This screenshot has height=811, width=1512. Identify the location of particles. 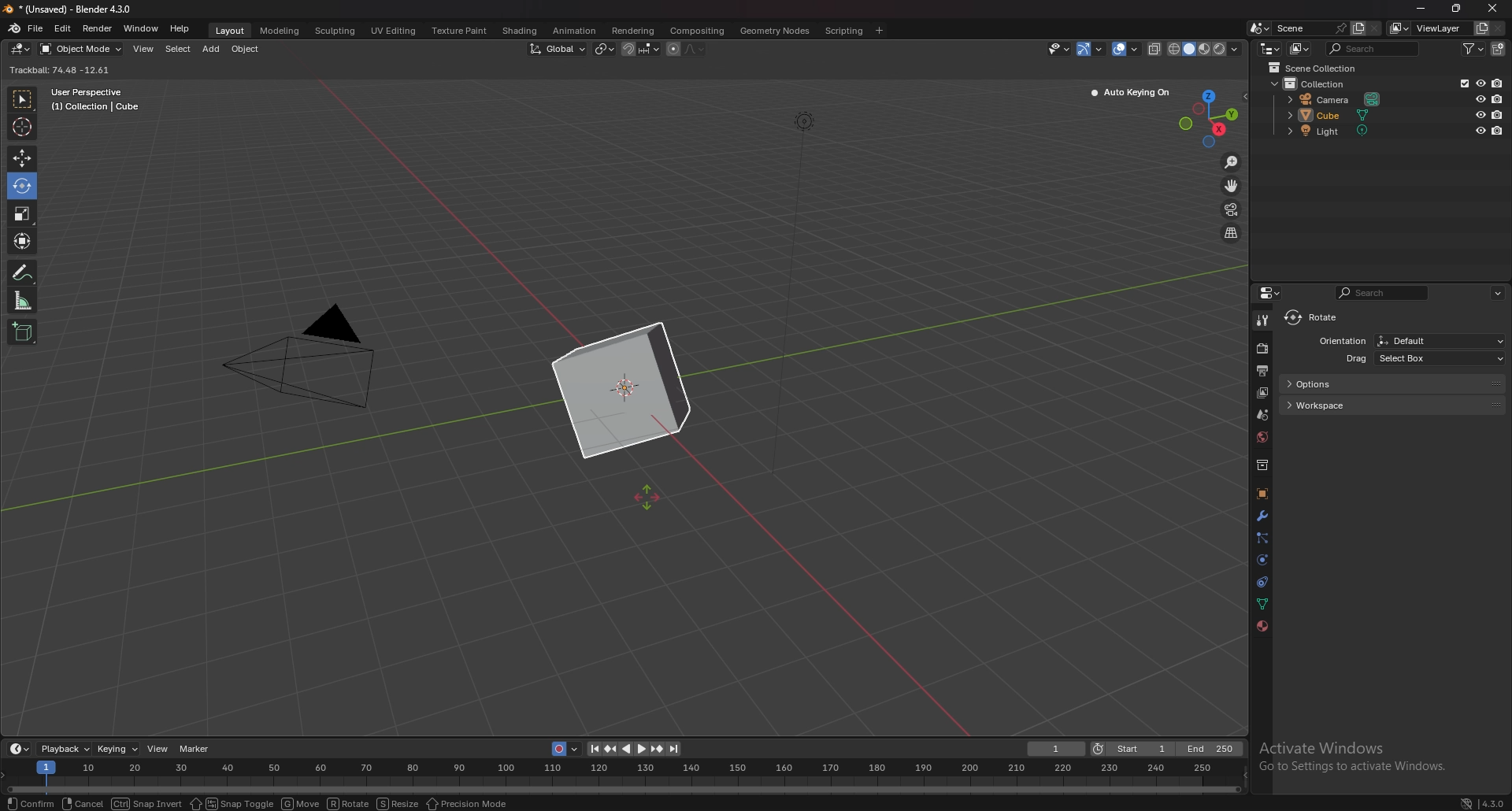
(1262, 539).